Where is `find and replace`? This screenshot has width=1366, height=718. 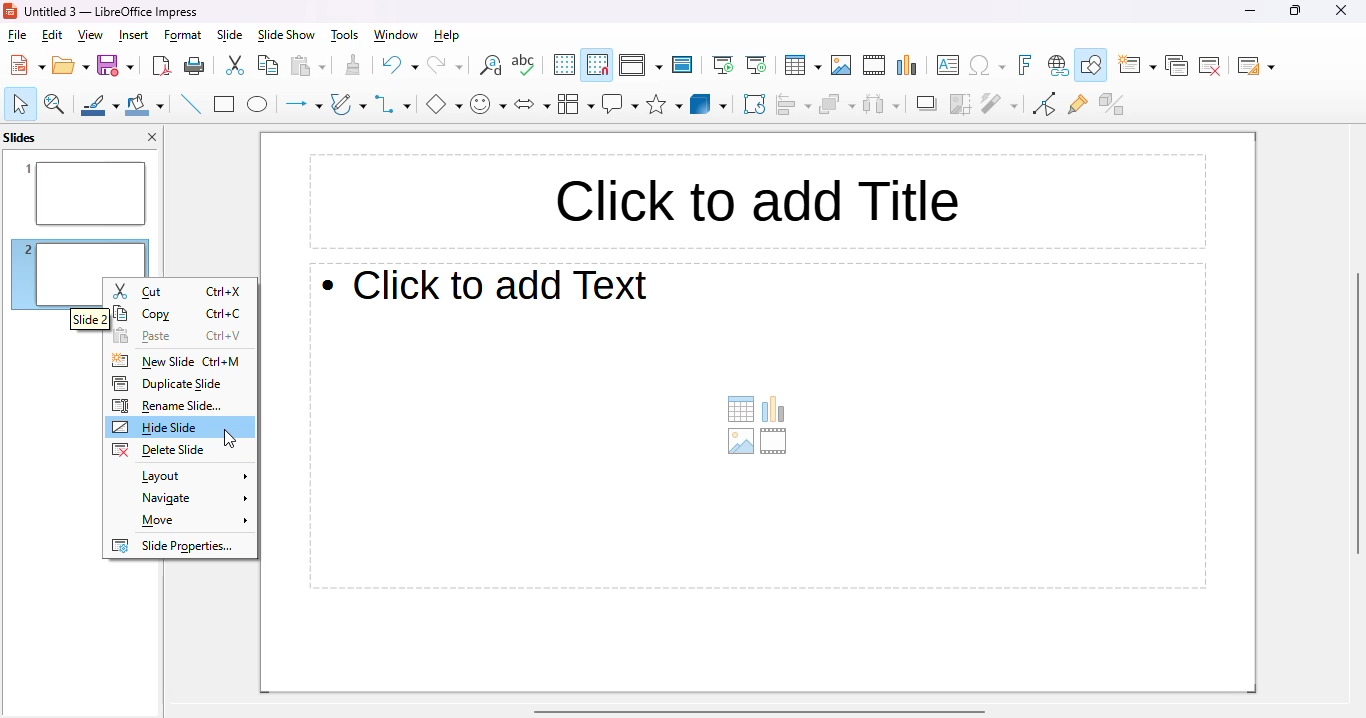
find and replace is located at coordinates (491, 66).